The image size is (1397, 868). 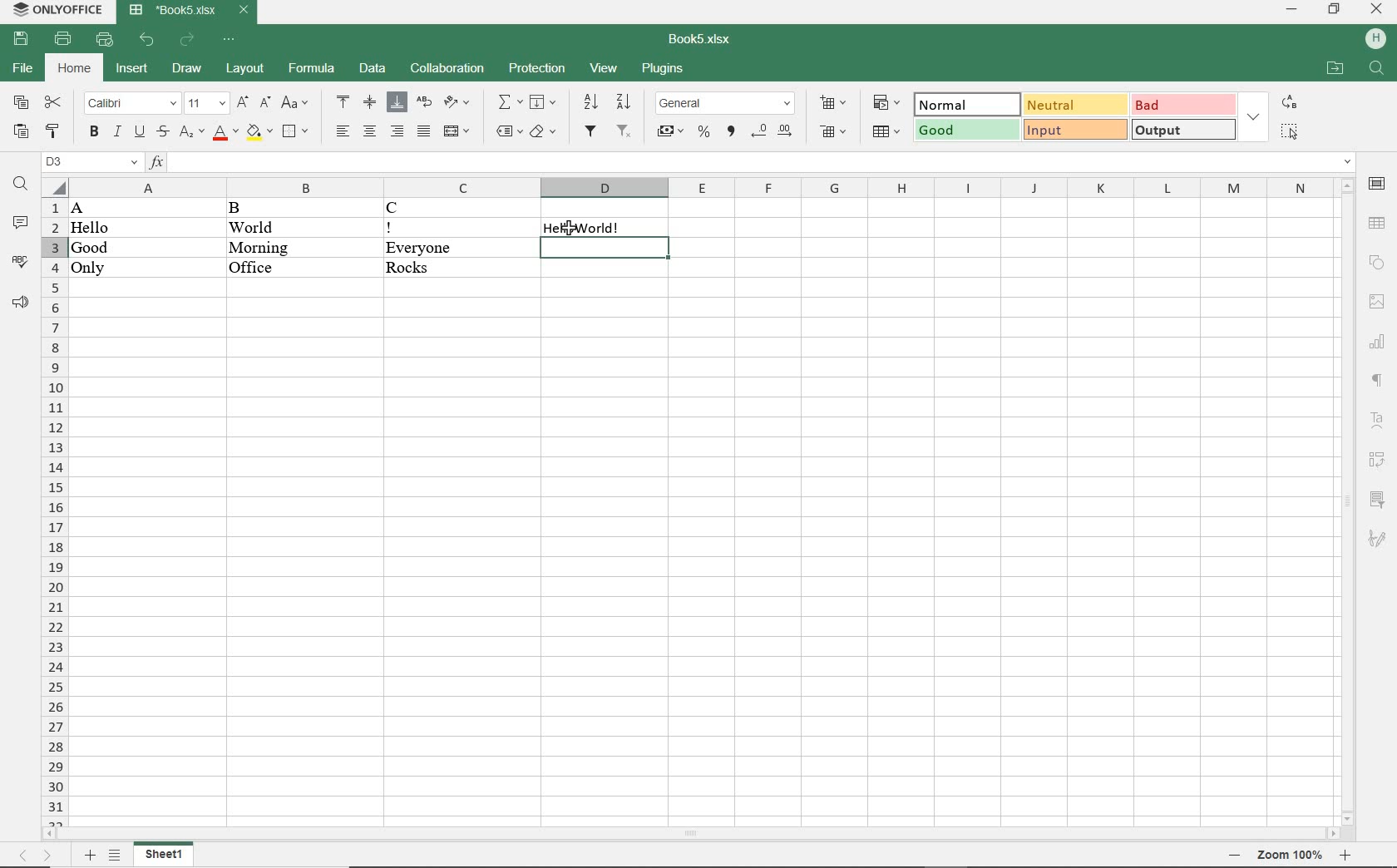 What do you see at coordinates (1377, 418) in the screenshot?
I see `TEXT ART` at bounding box center [1377, 418].